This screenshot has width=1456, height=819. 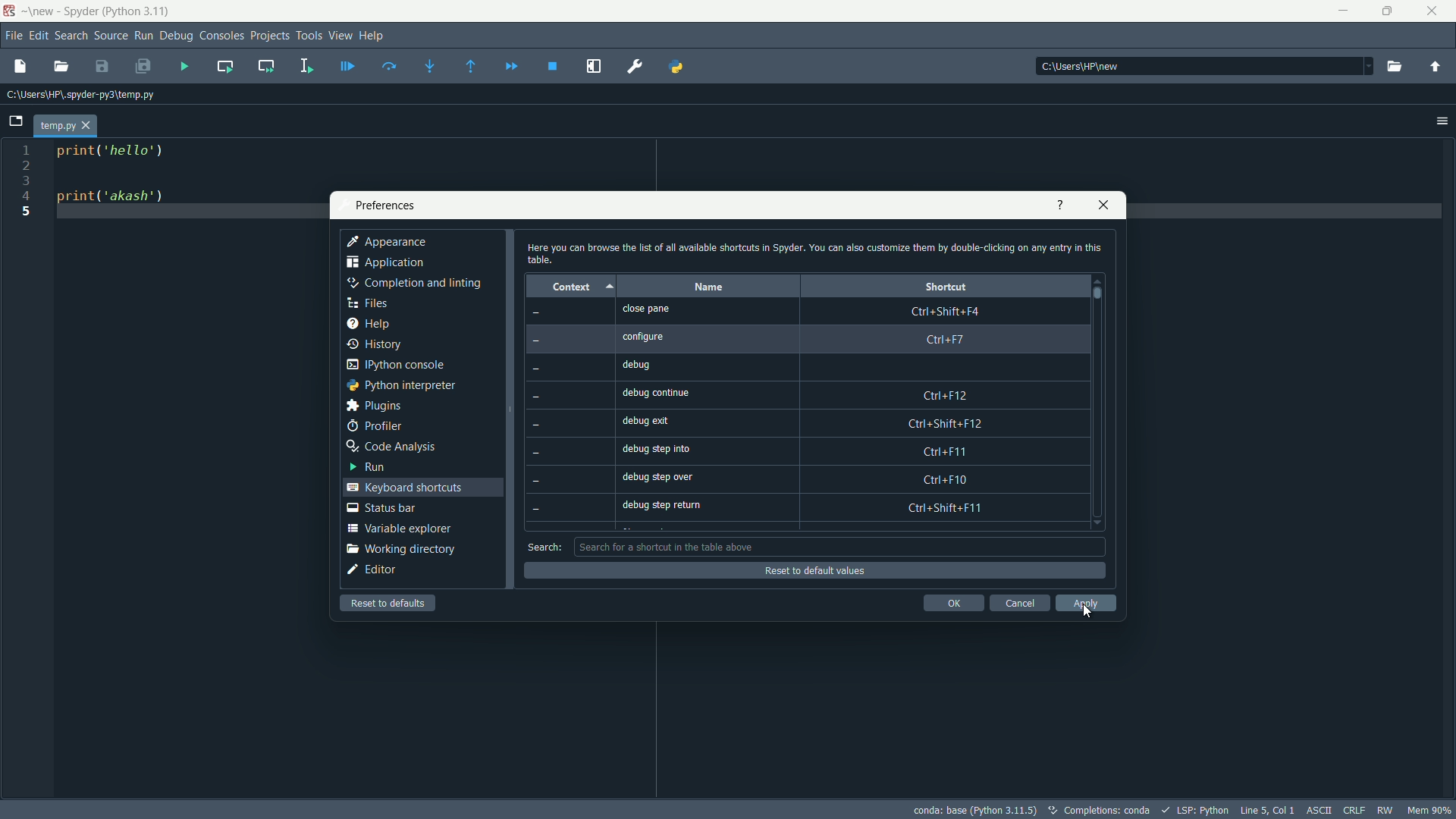 I want to click on maximize, so click(x=1390, y=11).